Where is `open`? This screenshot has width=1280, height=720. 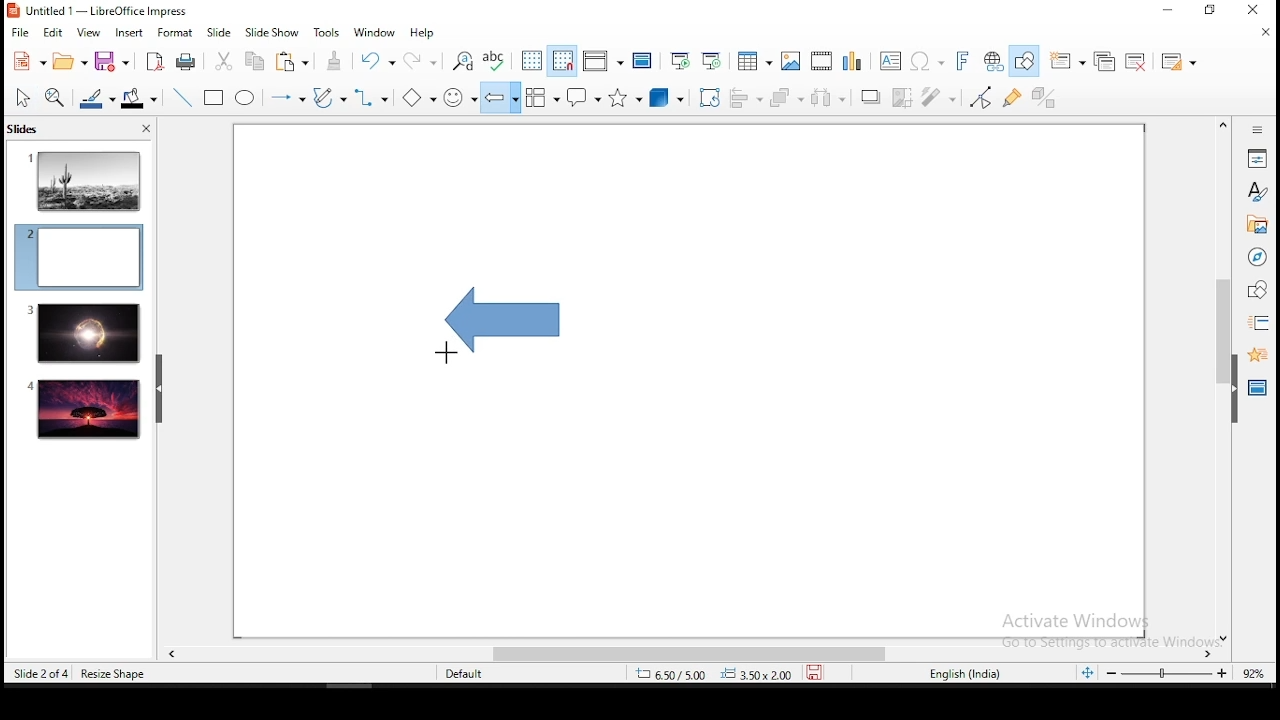
open is located at coordinates (69, 62).